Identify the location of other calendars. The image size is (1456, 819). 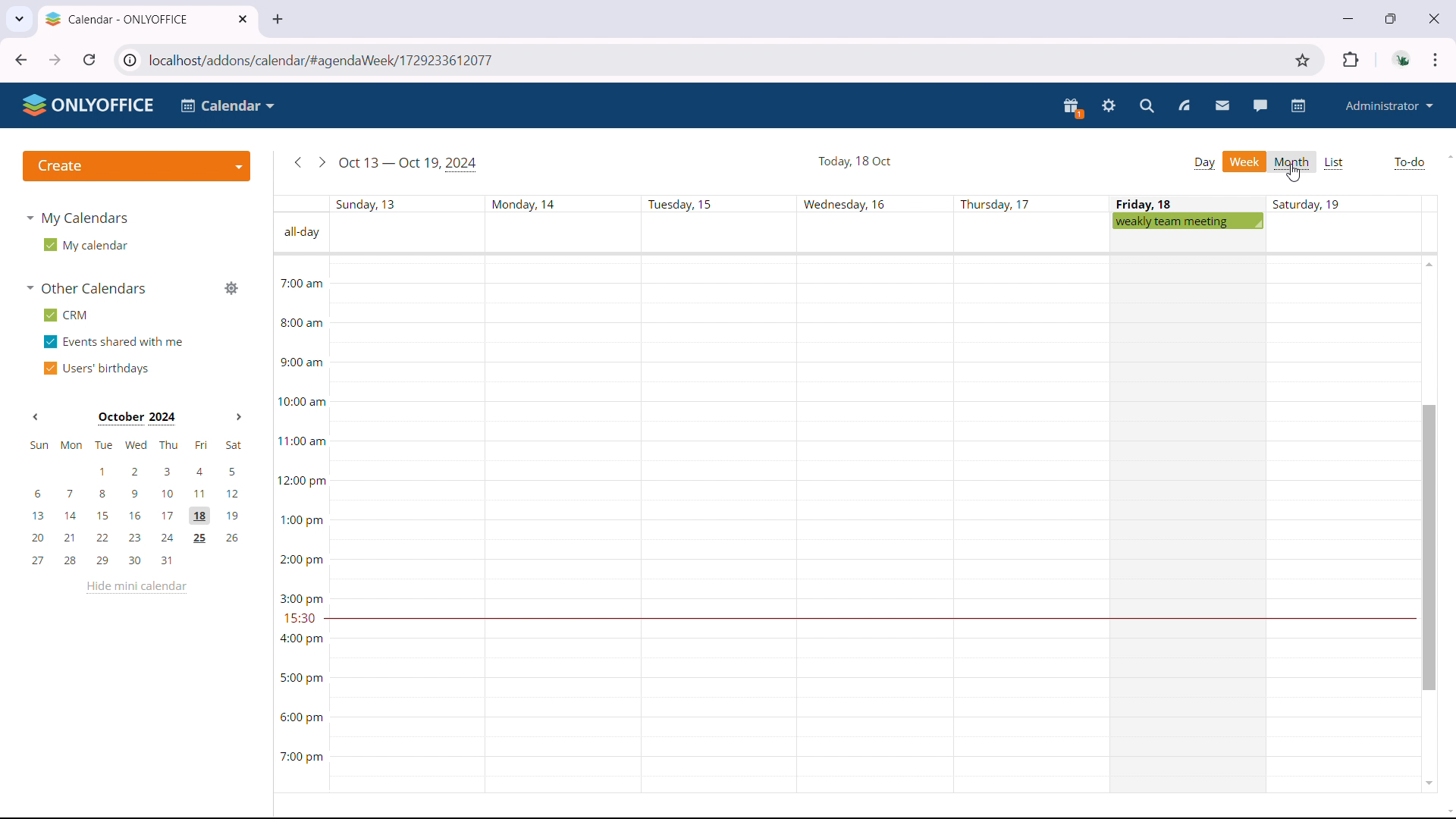
(86, 288).